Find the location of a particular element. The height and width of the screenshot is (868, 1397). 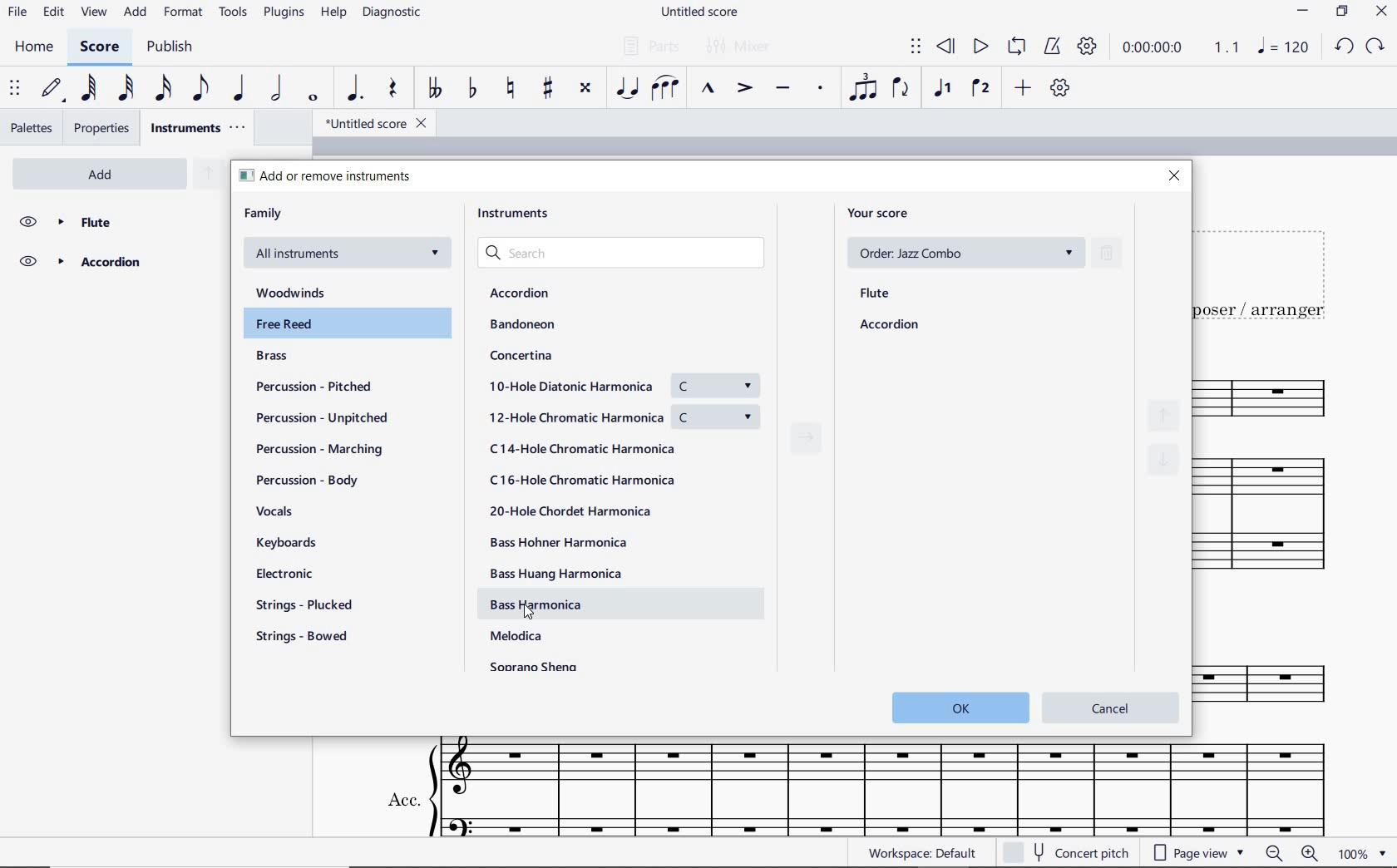

tie is located at coordinates (629, 88).